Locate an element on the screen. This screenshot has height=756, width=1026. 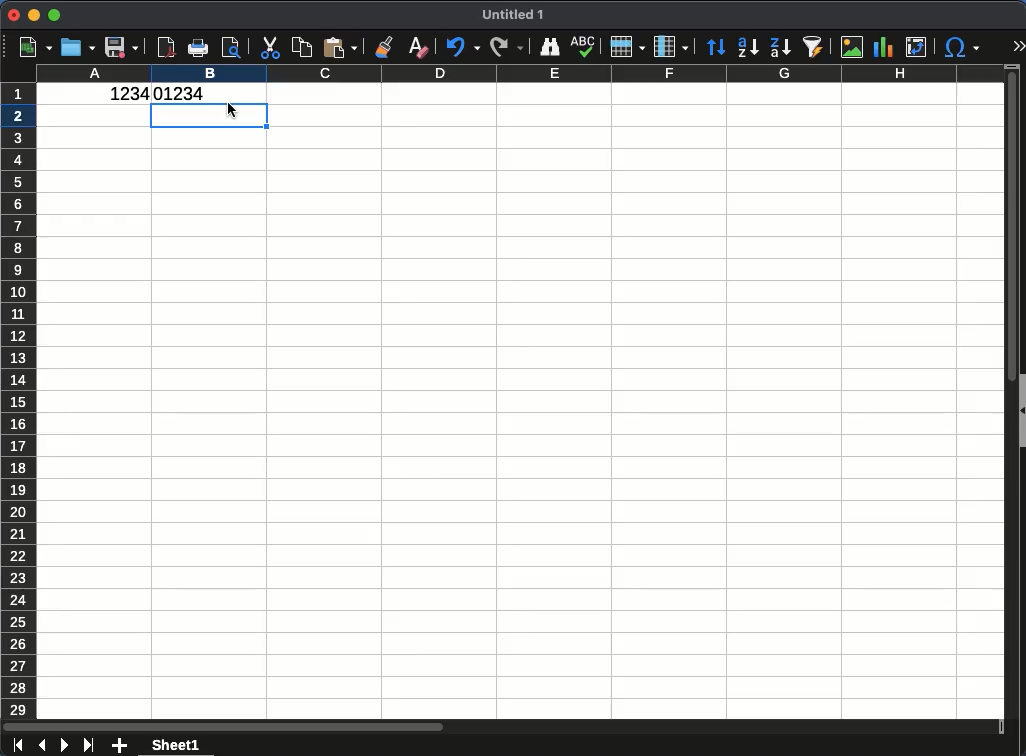
columns is located at coordinates (519, 75).